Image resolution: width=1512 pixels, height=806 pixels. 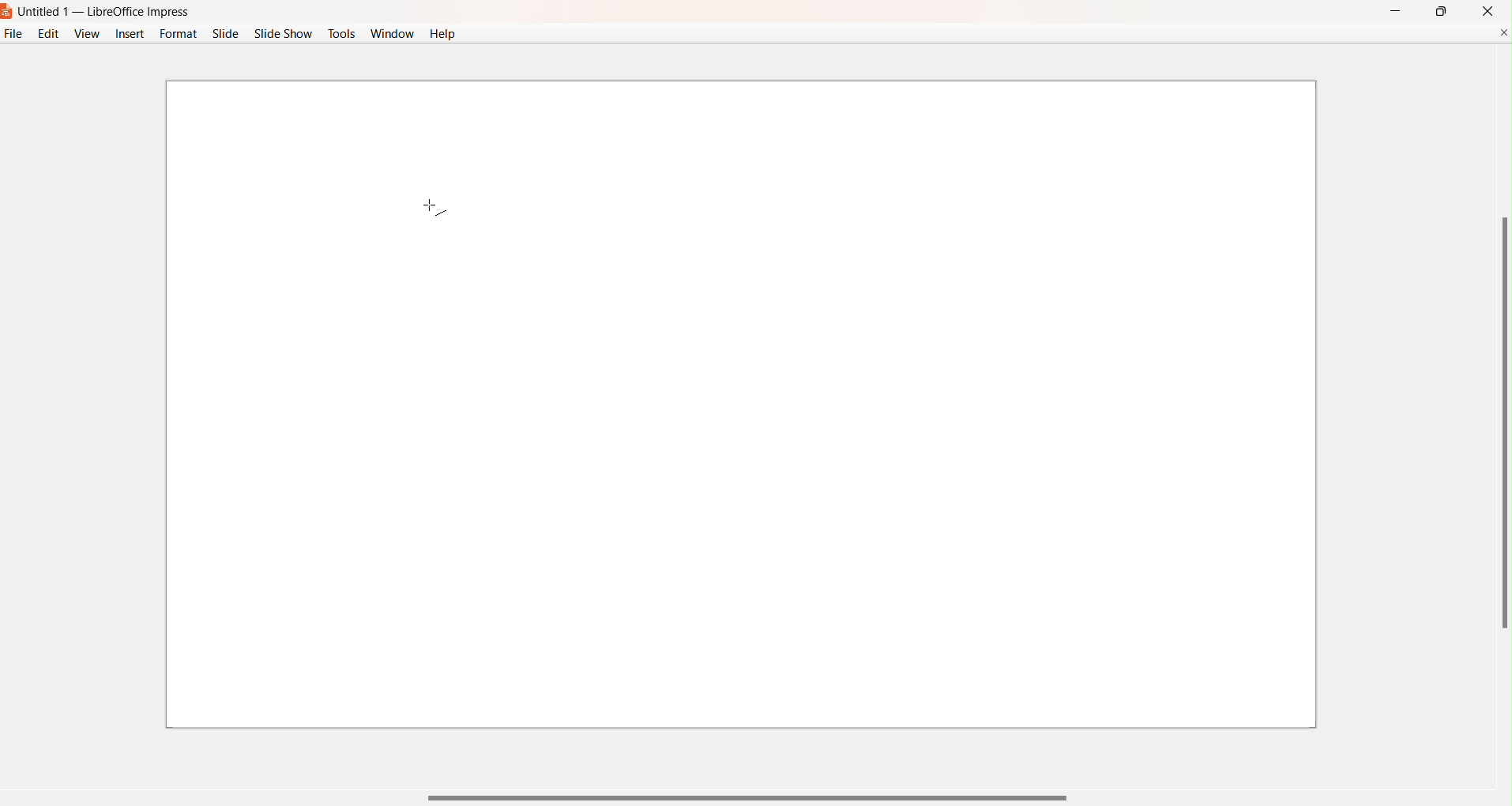 What do you see at coordinates (1503, 32) in the screenshot?
I see `Close Document` at bounding box center [1503, 32].